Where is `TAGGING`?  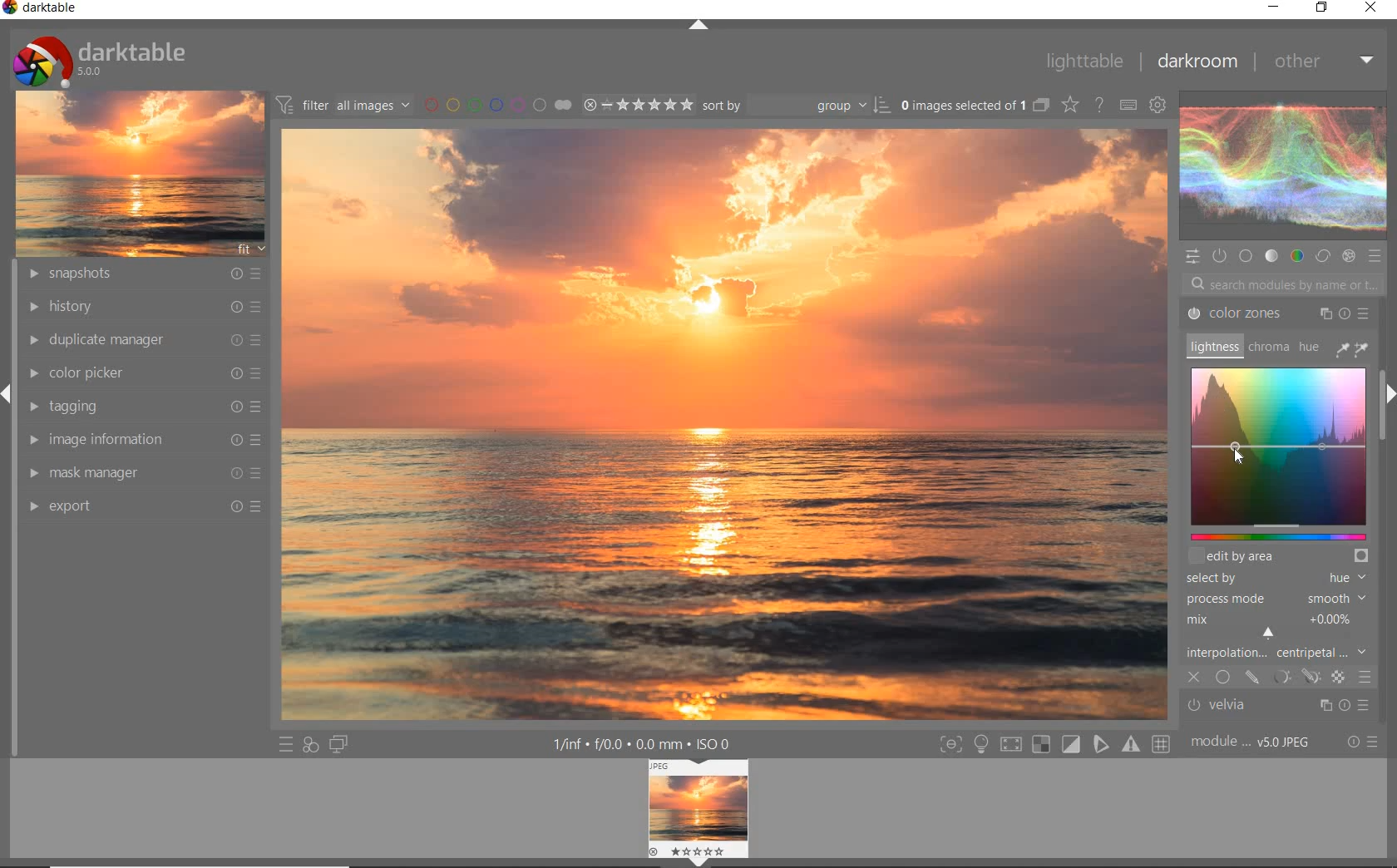 TAGGING is located at coordinates (142, 405).